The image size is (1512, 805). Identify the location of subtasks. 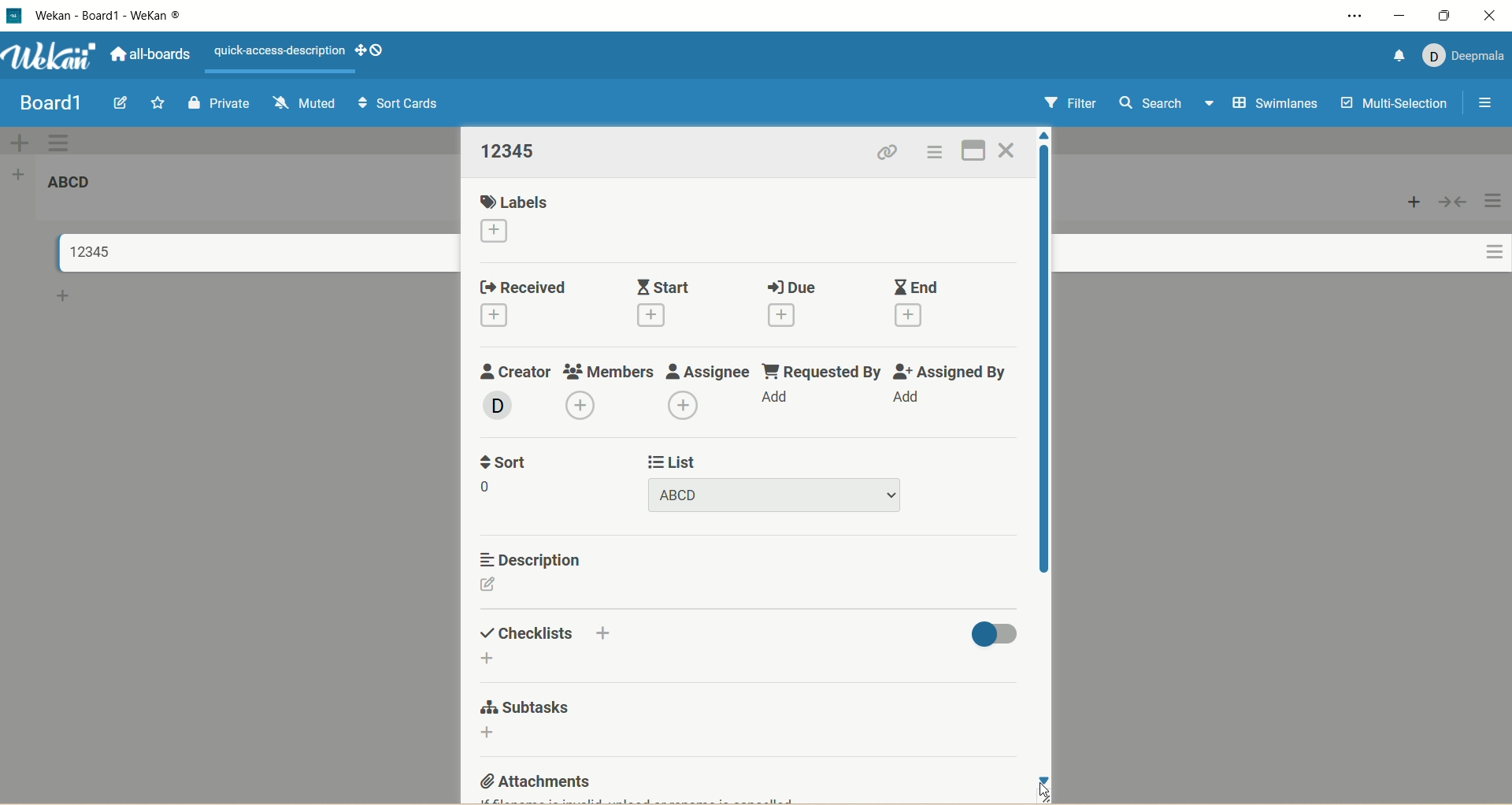
(526, 709).